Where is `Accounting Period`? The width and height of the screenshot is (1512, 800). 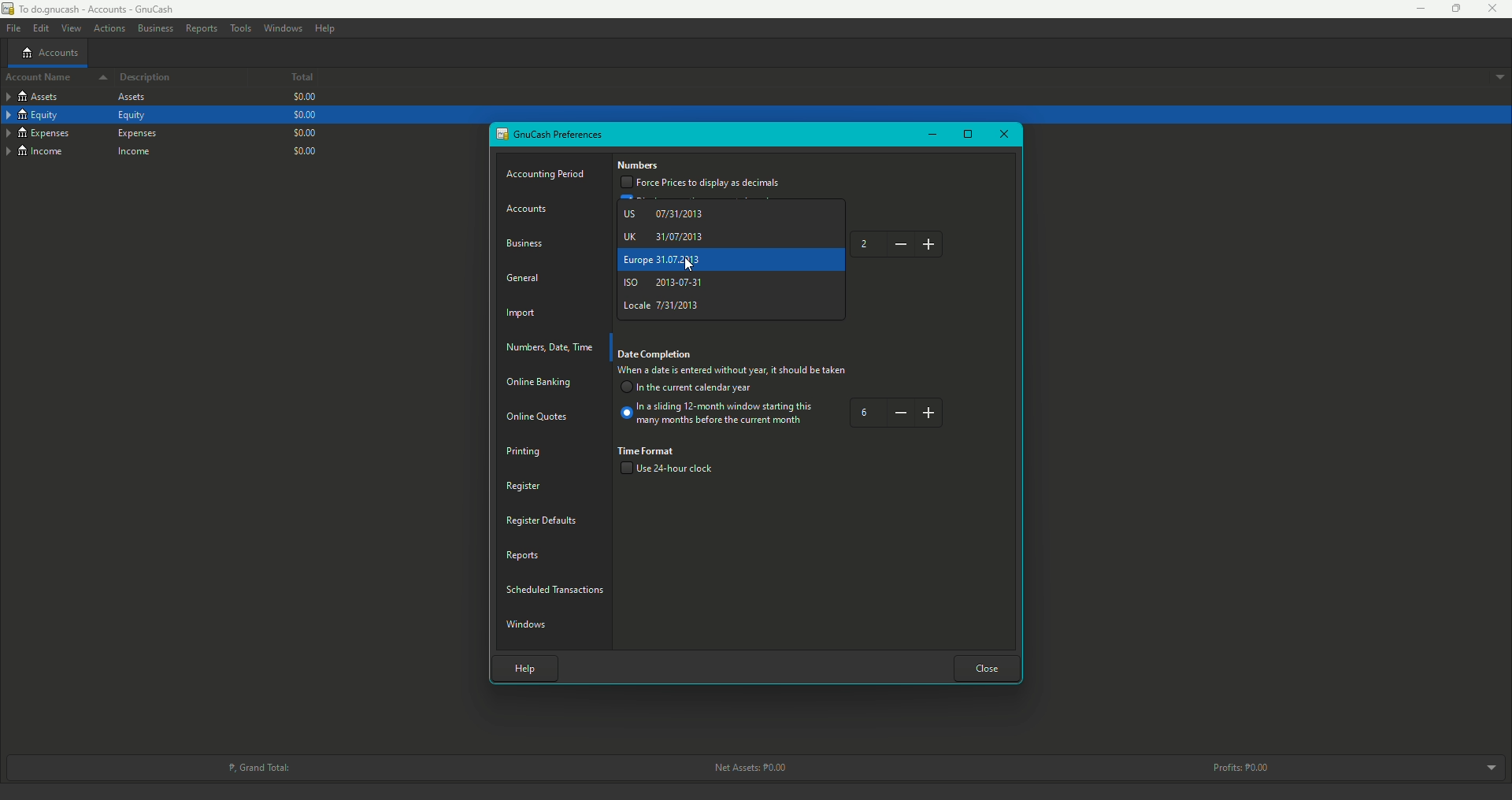
Accounting Period is located at coordinates (548, 175).